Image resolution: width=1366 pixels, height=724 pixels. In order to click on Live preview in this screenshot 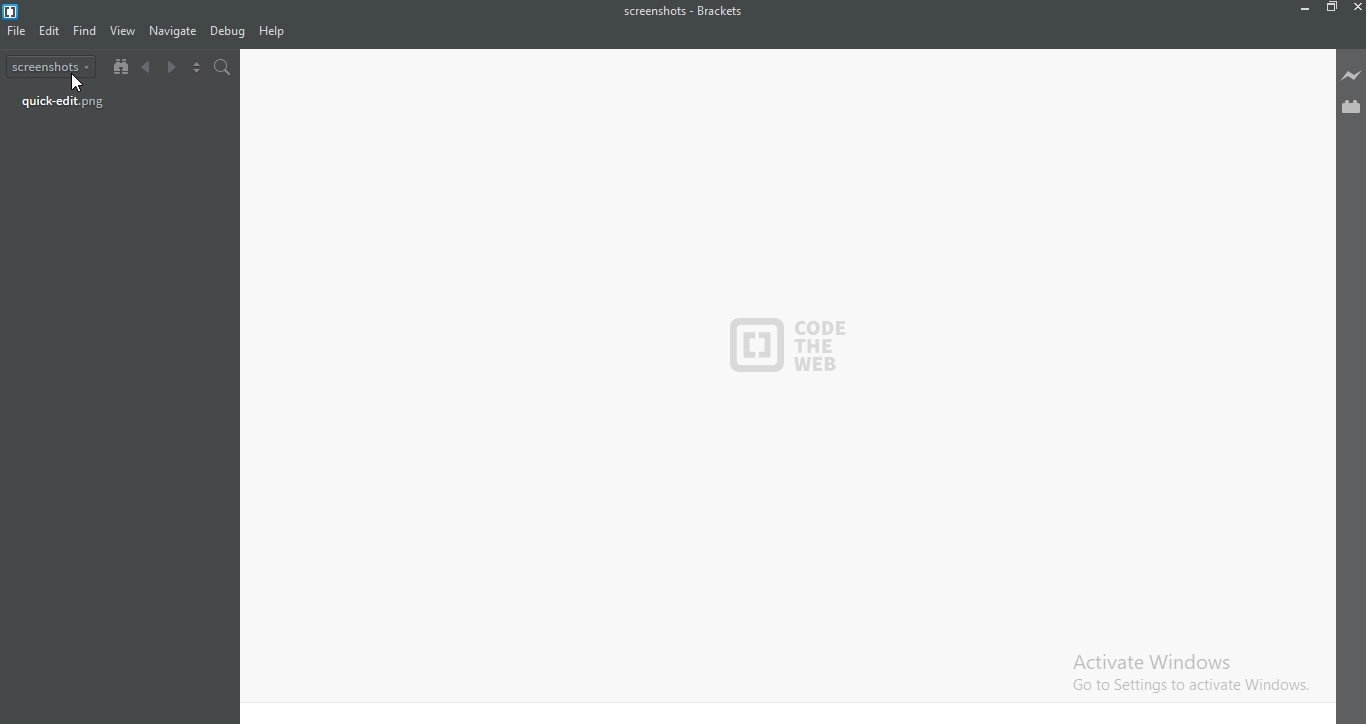, I will do `click(1350, 76)`.